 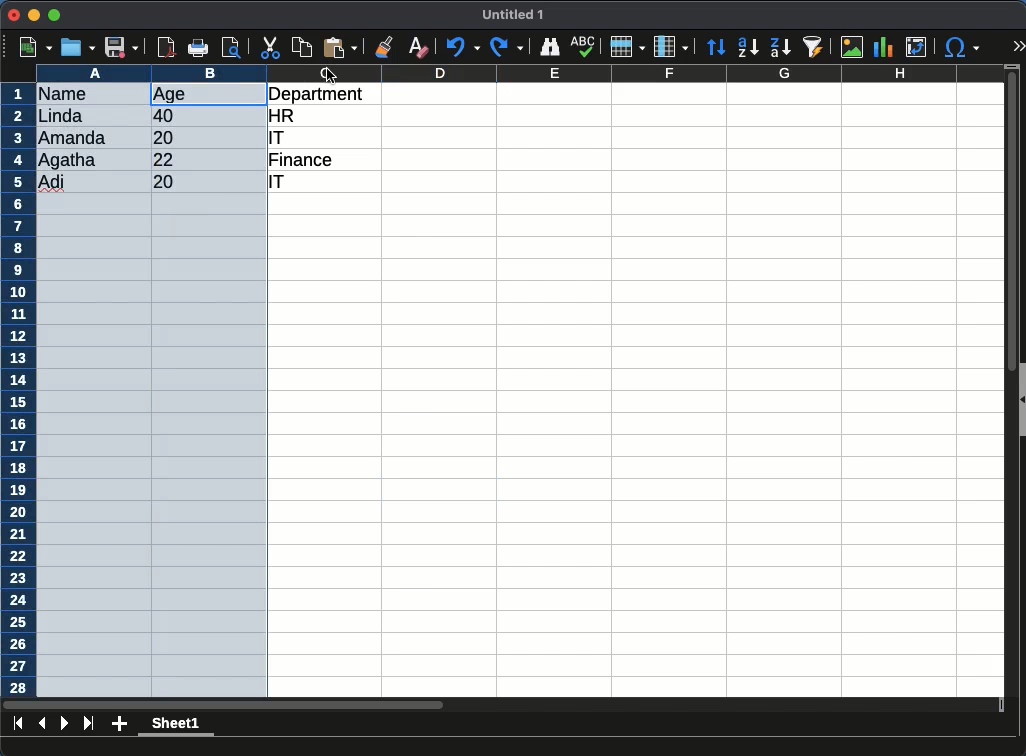 What do you see at coordinates (418, 46) in the screenshot?
I see `clear formatting` at bounding box center [418, 46].